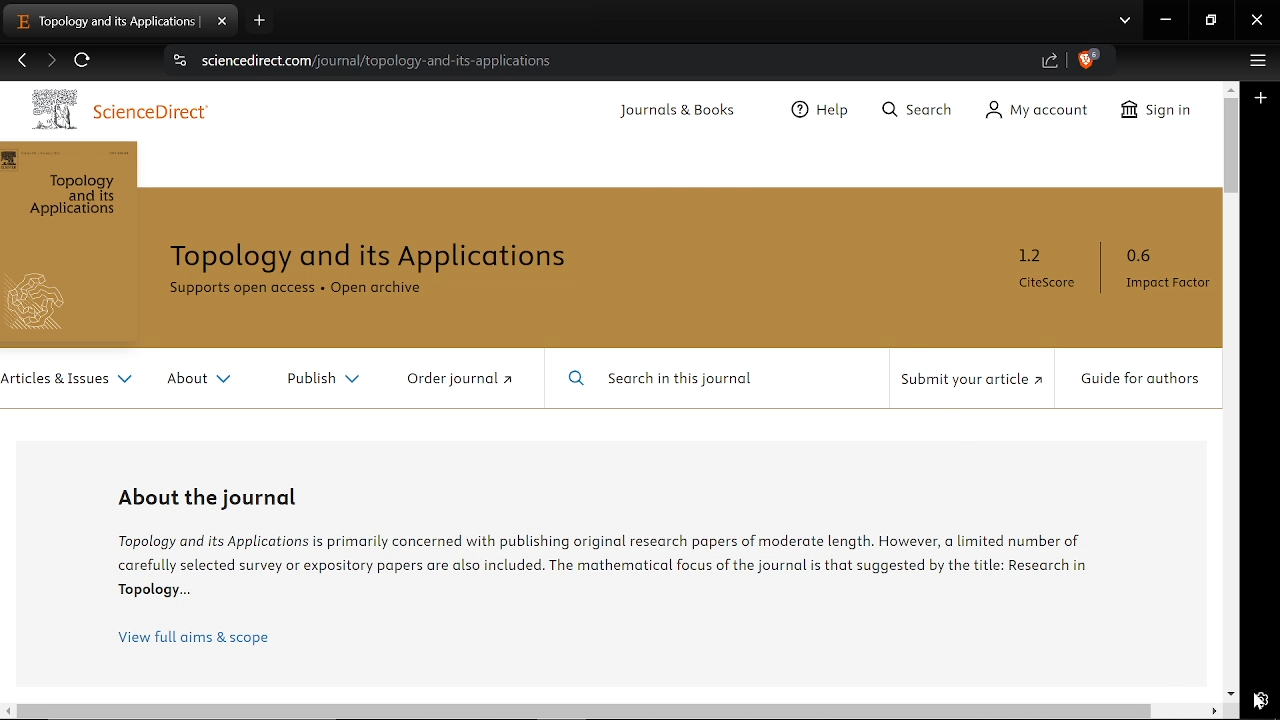 The height and width of the screenshot is (720, 1280). What do you see at coordinates (43, 110) in the screenshot?
I see `Logo` at bounding box center [43, 110].